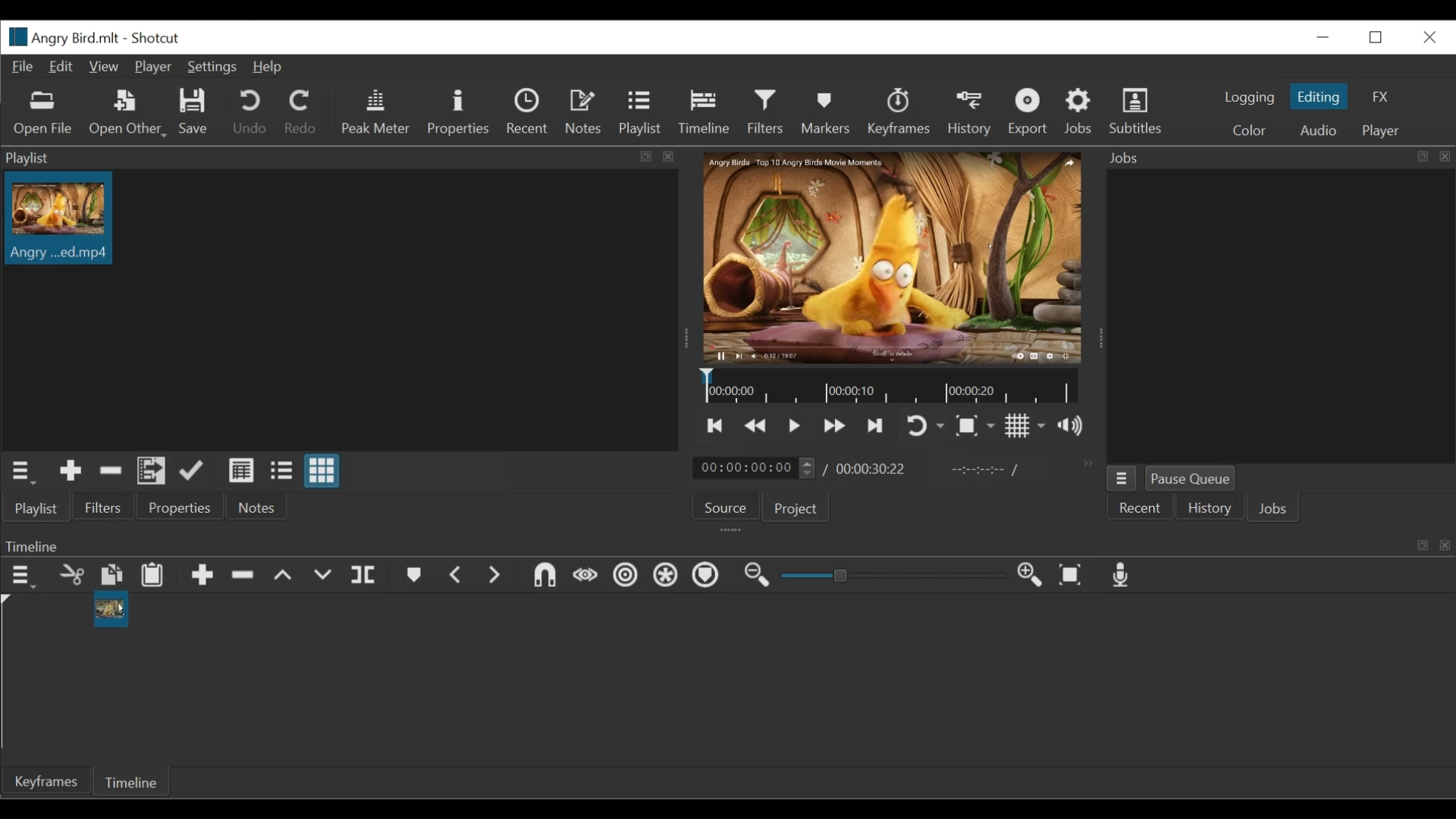  What do you see at coordinates (125, 113) in the screenshot?
I see `Open Other File` at bounding box center [125, 113].